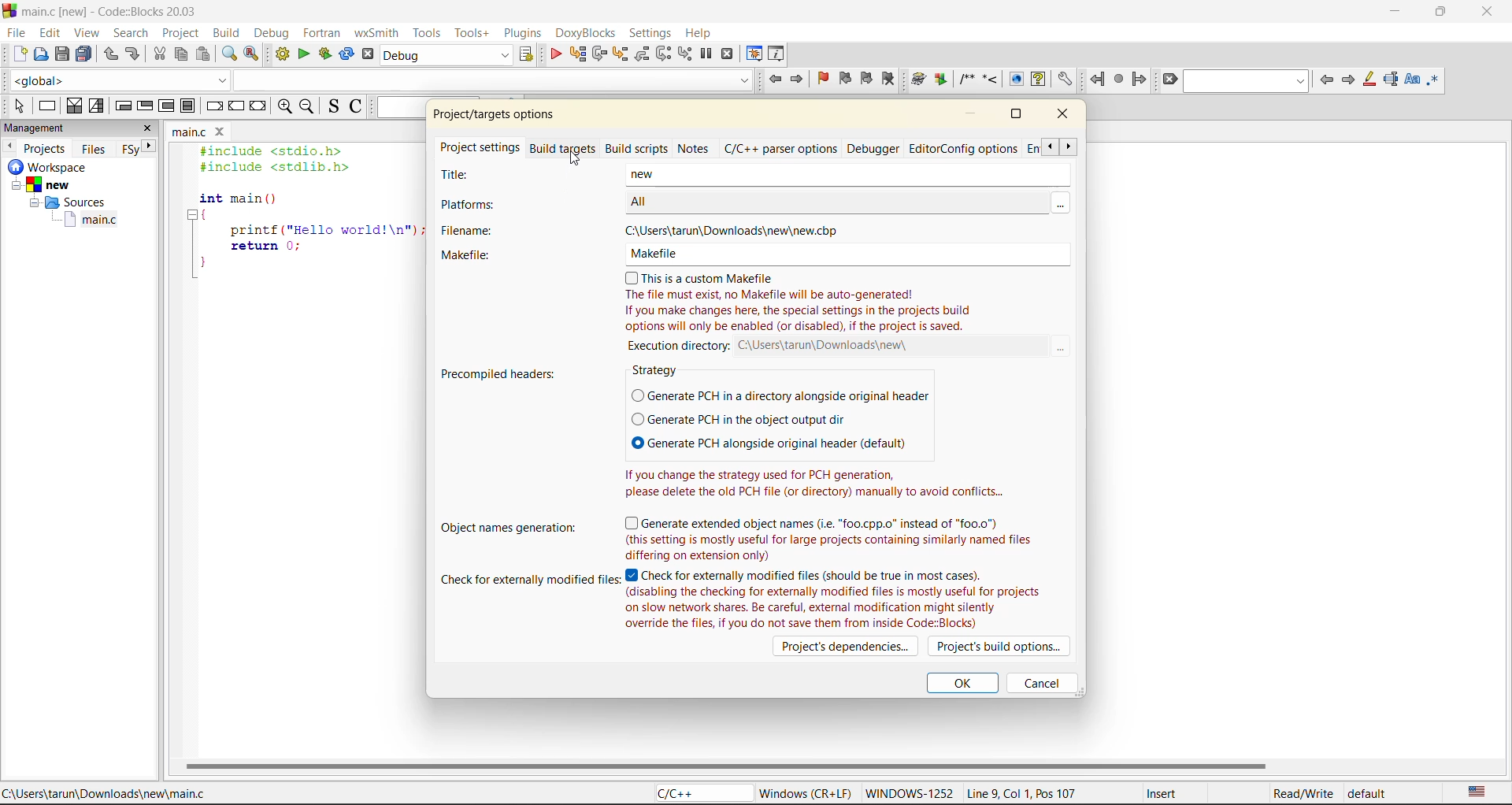 This screenshot has width=1512, height=805. I want to click on Line 9, Col 1, Pos 107, so click(1021, 796).